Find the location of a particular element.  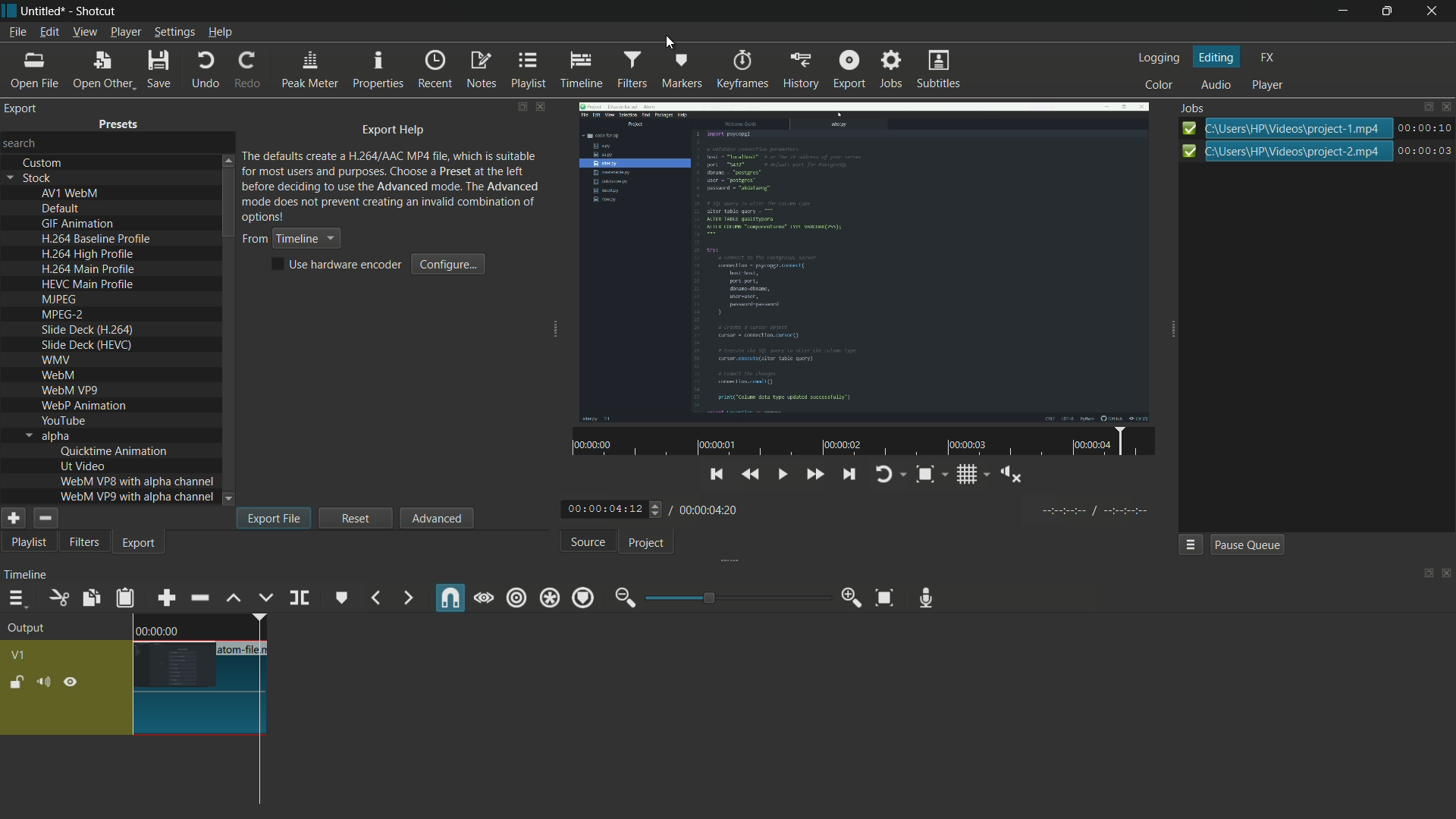

close app is located at coordinates (1436, 12).